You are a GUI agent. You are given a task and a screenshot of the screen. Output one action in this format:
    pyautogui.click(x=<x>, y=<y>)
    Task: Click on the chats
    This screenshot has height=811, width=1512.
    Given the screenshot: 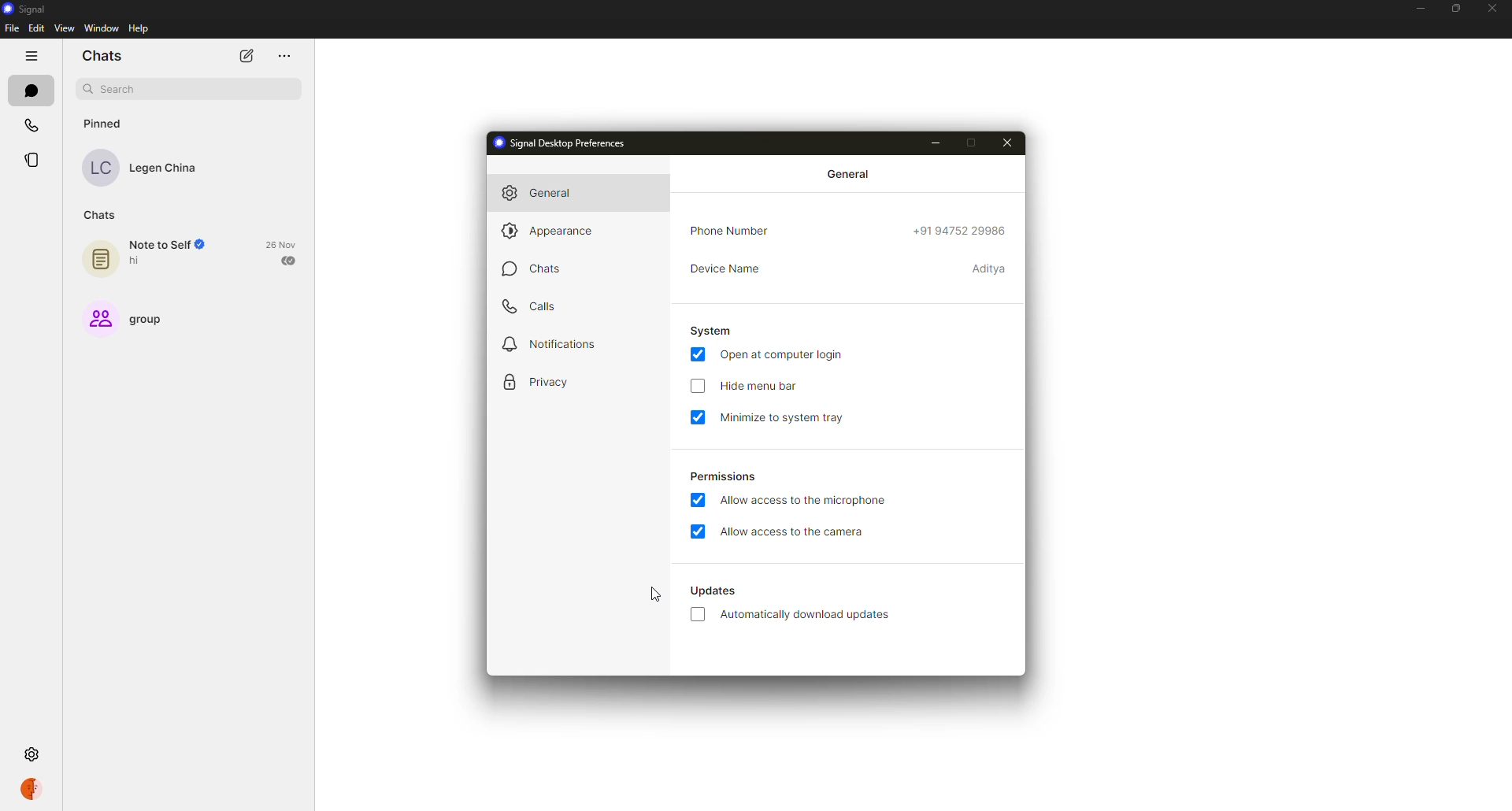 What is the action you would take?
    pyautogui.click(x=31, y=91)
    